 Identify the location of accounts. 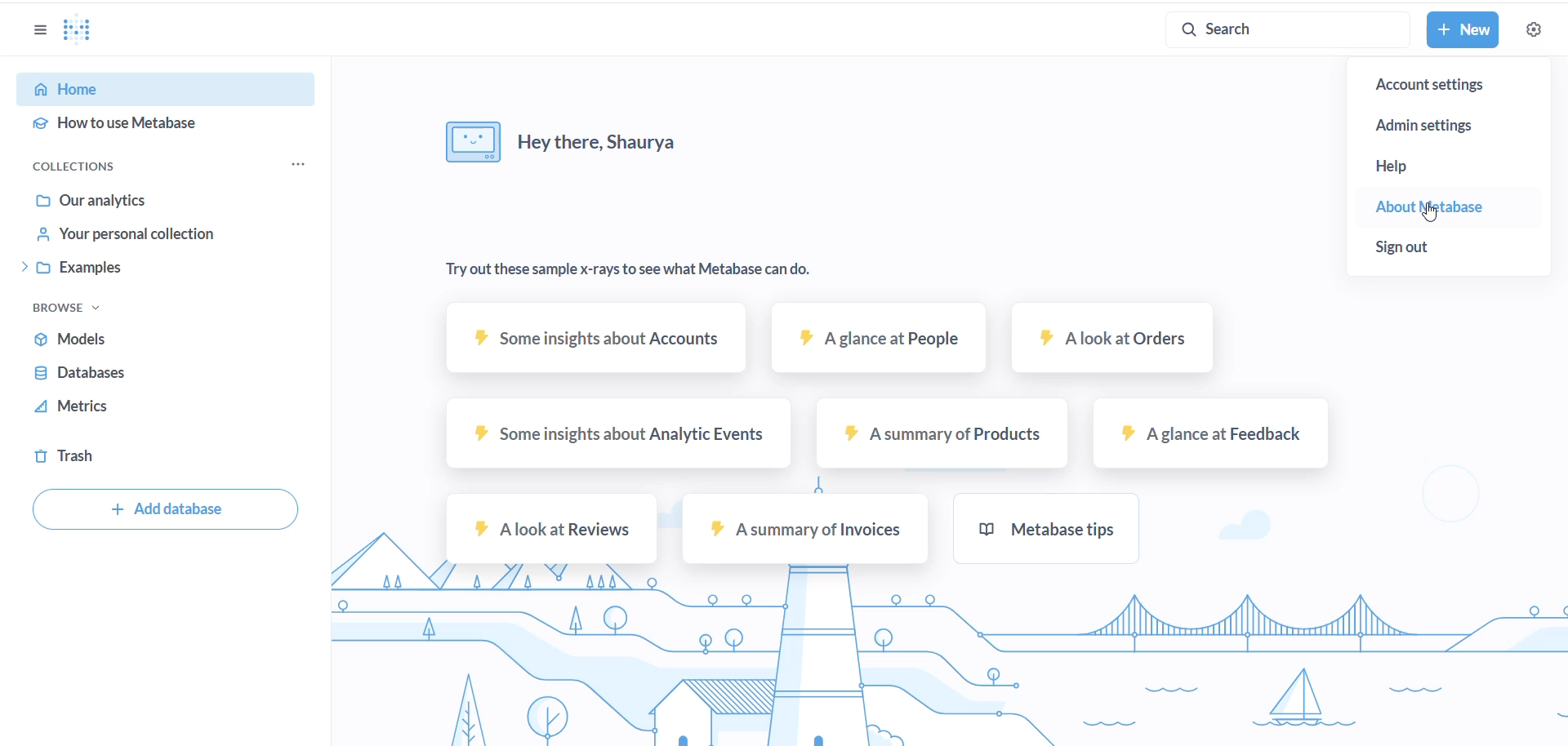
(1439, 82).